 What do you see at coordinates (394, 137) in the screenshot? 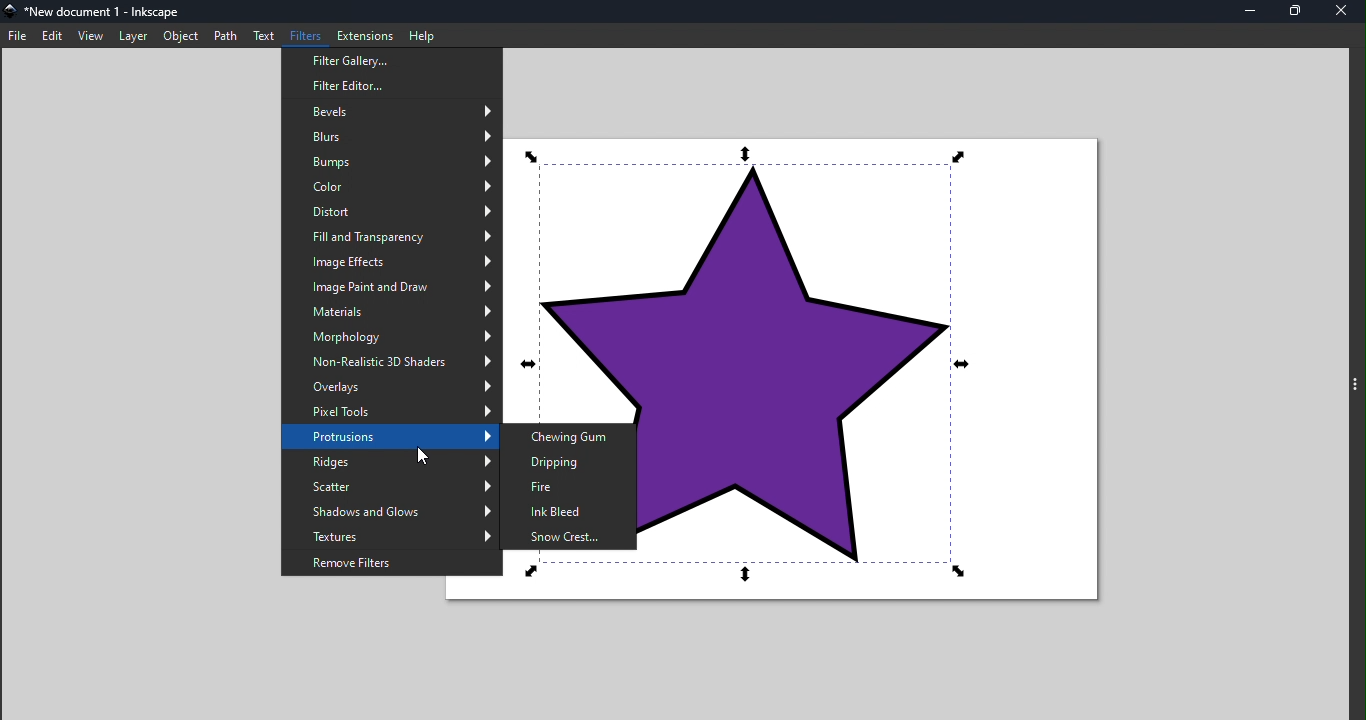
I see `Blurs` at bounding box center [394, 137].